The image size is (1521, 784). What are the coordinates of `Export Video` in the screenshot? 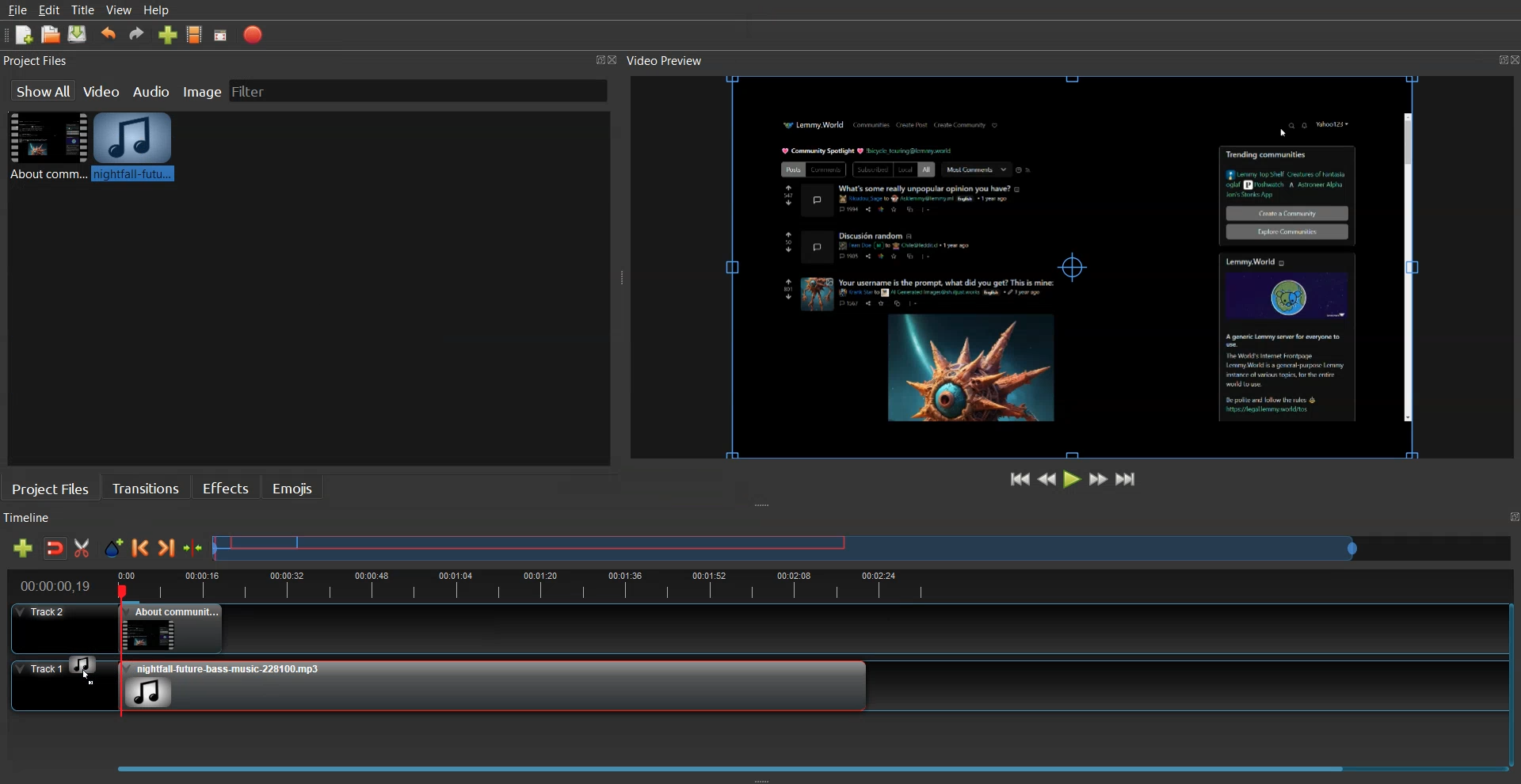 It's located at (253, 35).